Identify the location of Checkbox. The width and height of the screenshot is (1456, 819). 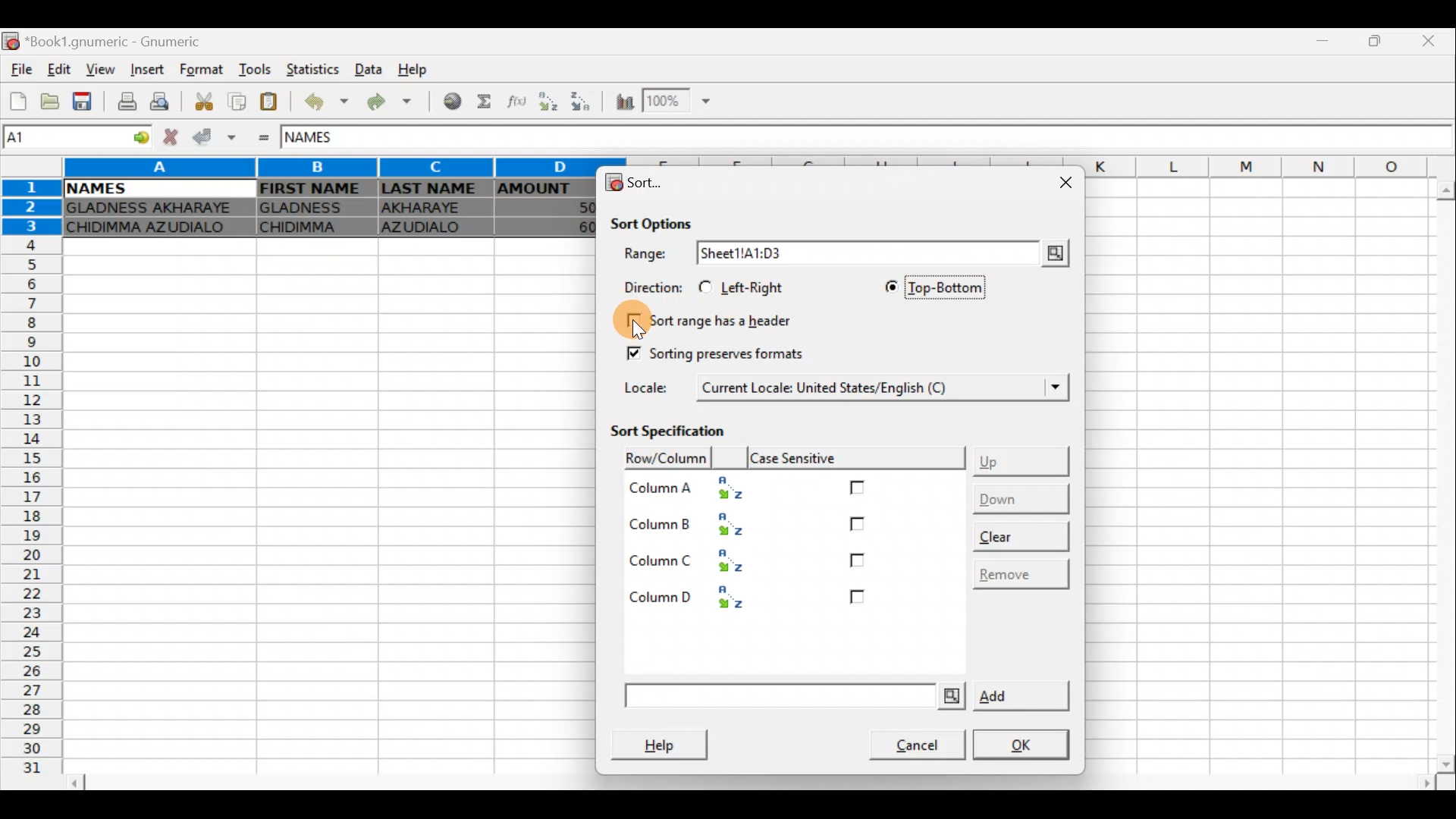
(858, 487).